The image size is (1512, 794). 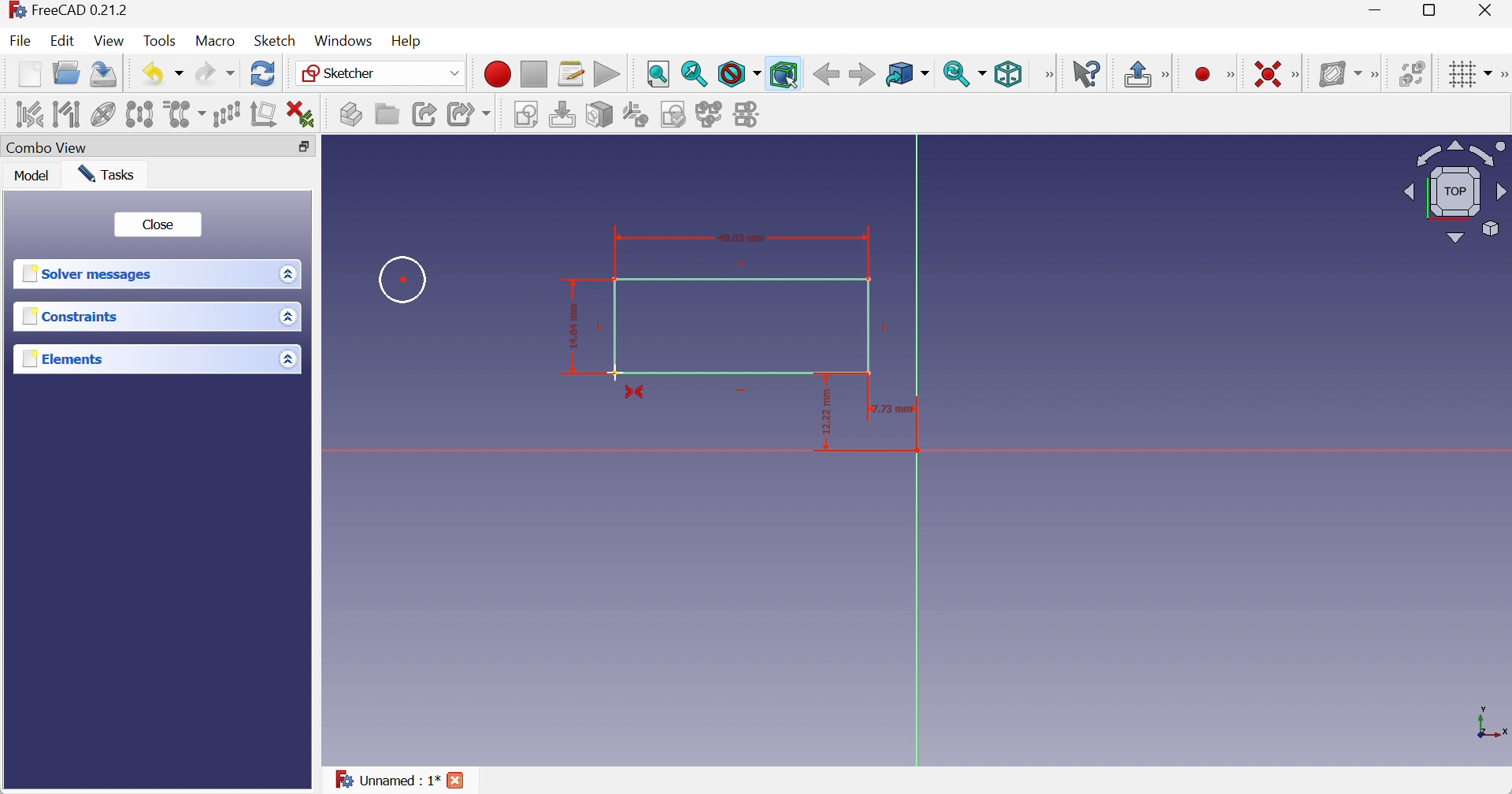 I want to click on Close, so click(x=457, y=781).